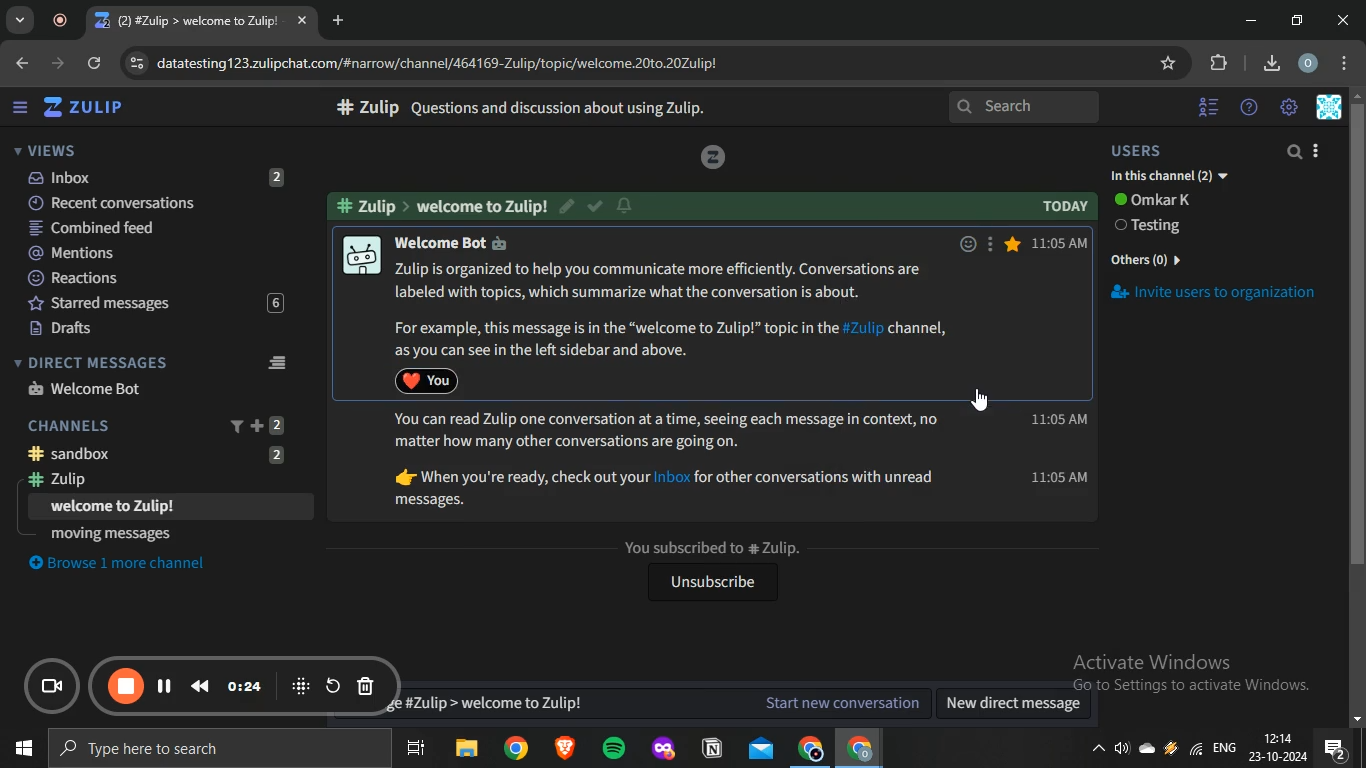 This screenshot has height=768, width=1366. Describe the element at coordinates (1290, 108) in the screenshot. I see `main menu` at that location.